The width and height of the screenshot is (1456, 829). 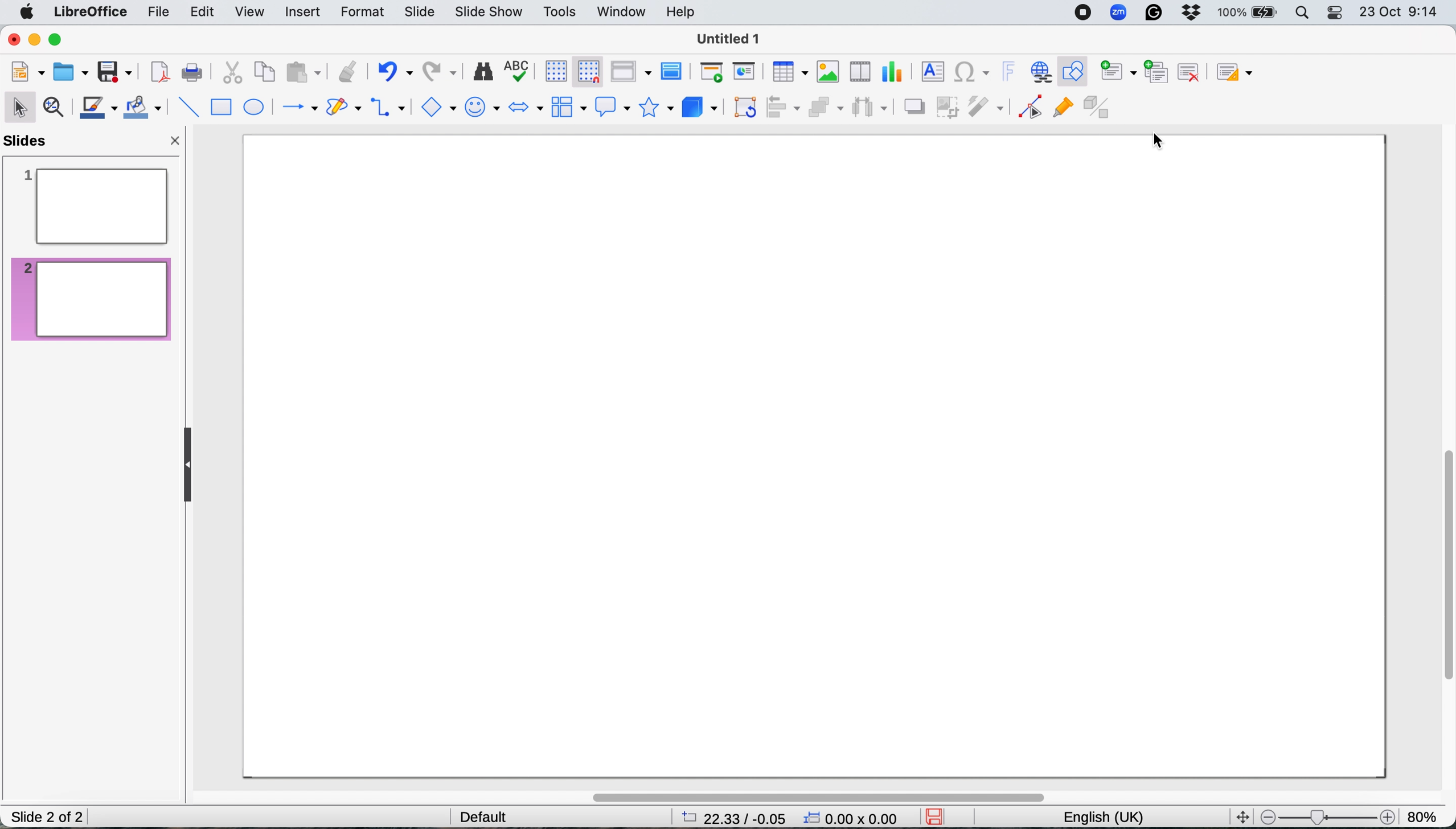 I want to click on print, so click(x=195, y=74).